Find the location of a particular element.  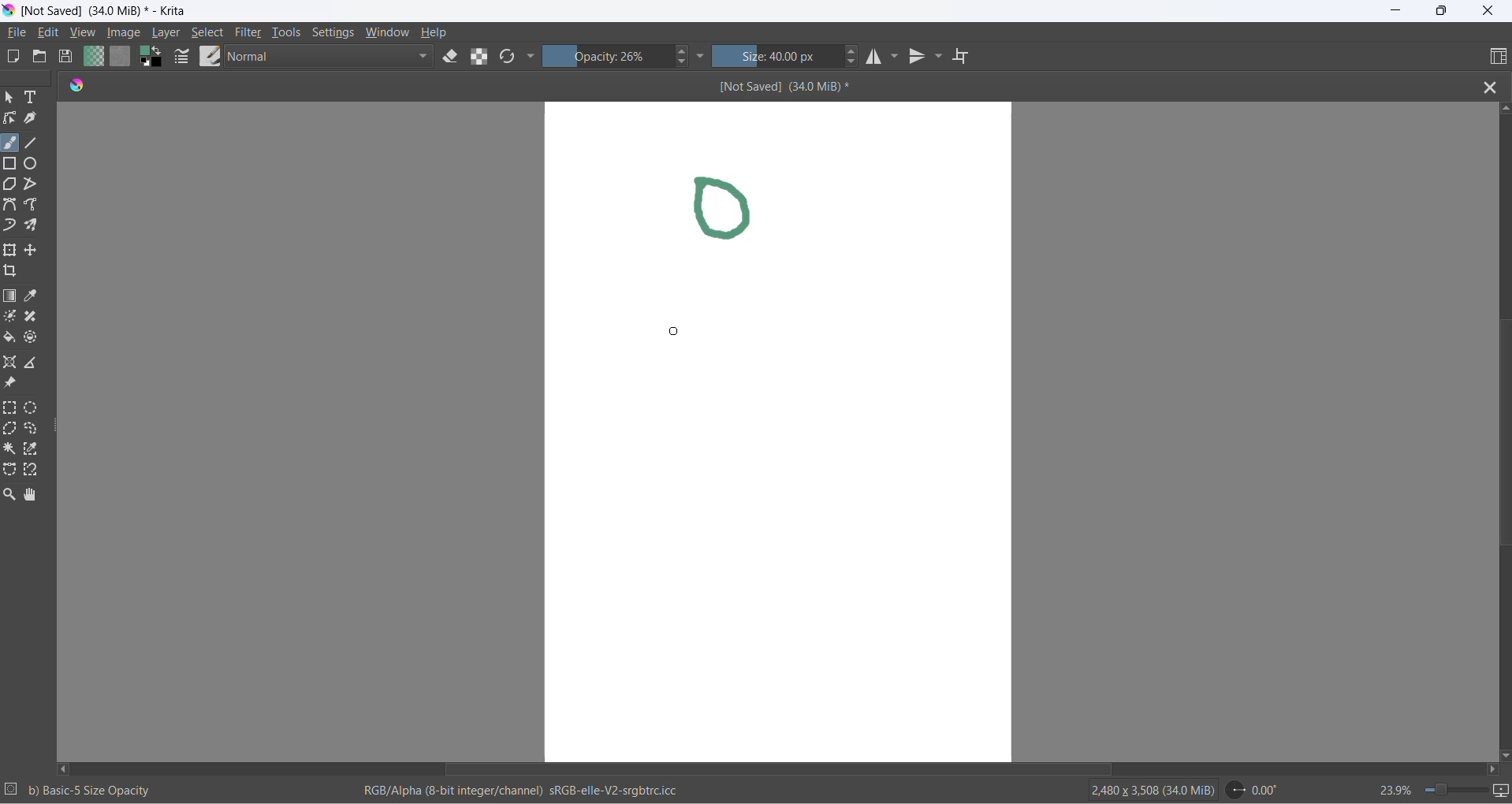

text tool is located at coordinates (39, 101).